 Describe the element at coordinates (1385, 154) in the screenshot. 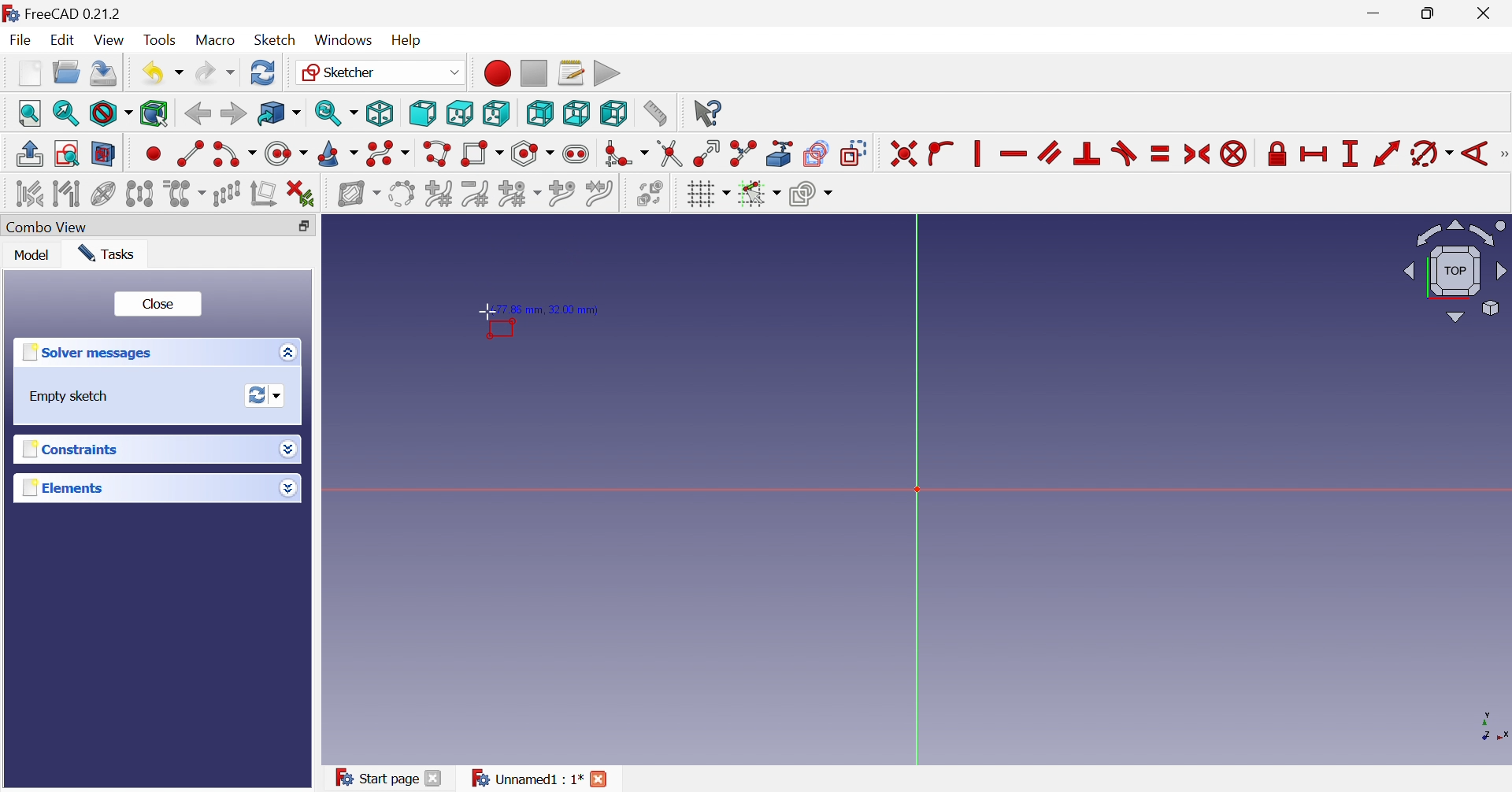

I see `Constrain distance` at that location.